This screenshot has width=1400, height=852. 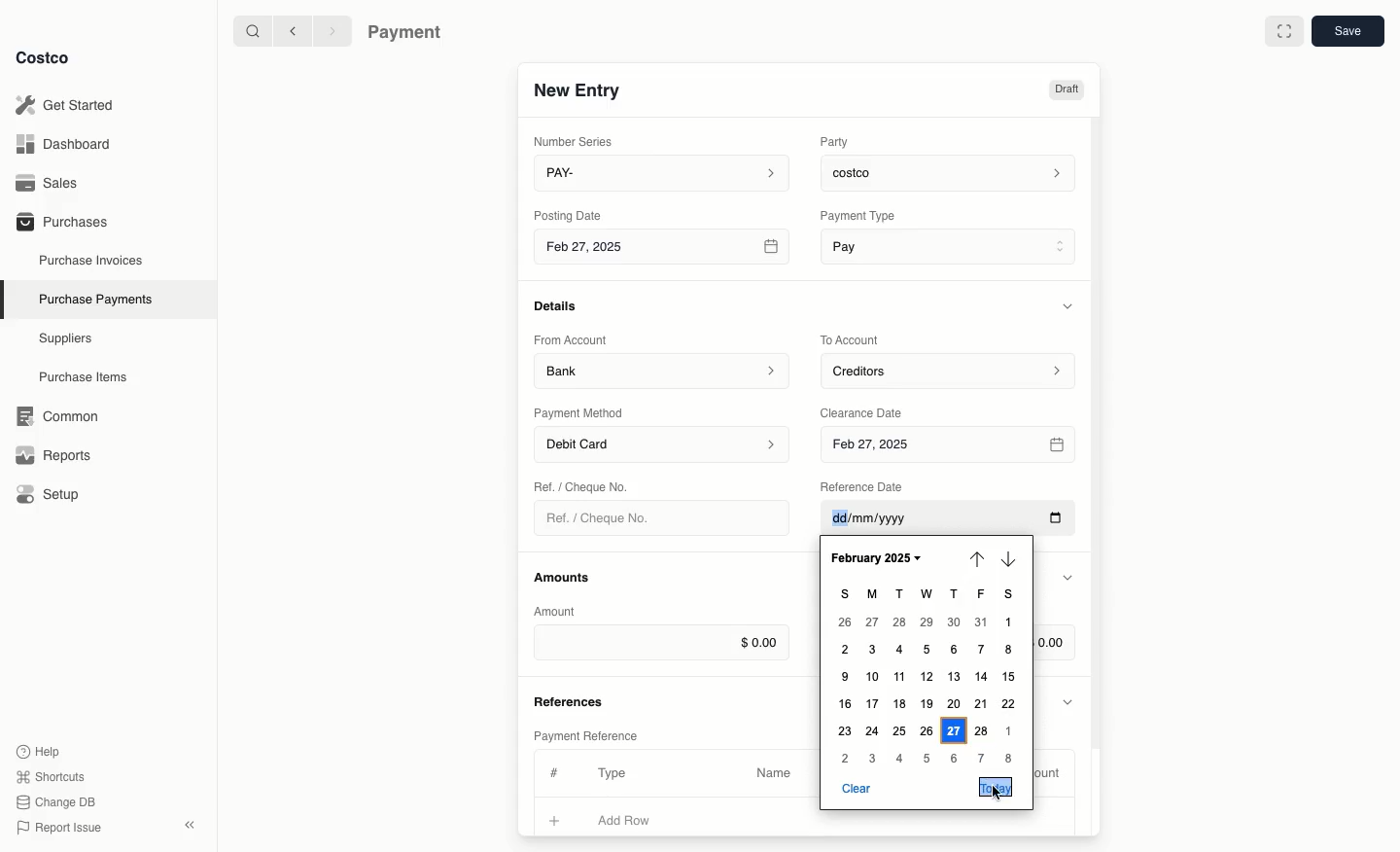 I want to click on Feb 27, 2025, so click(x=664, y=250).